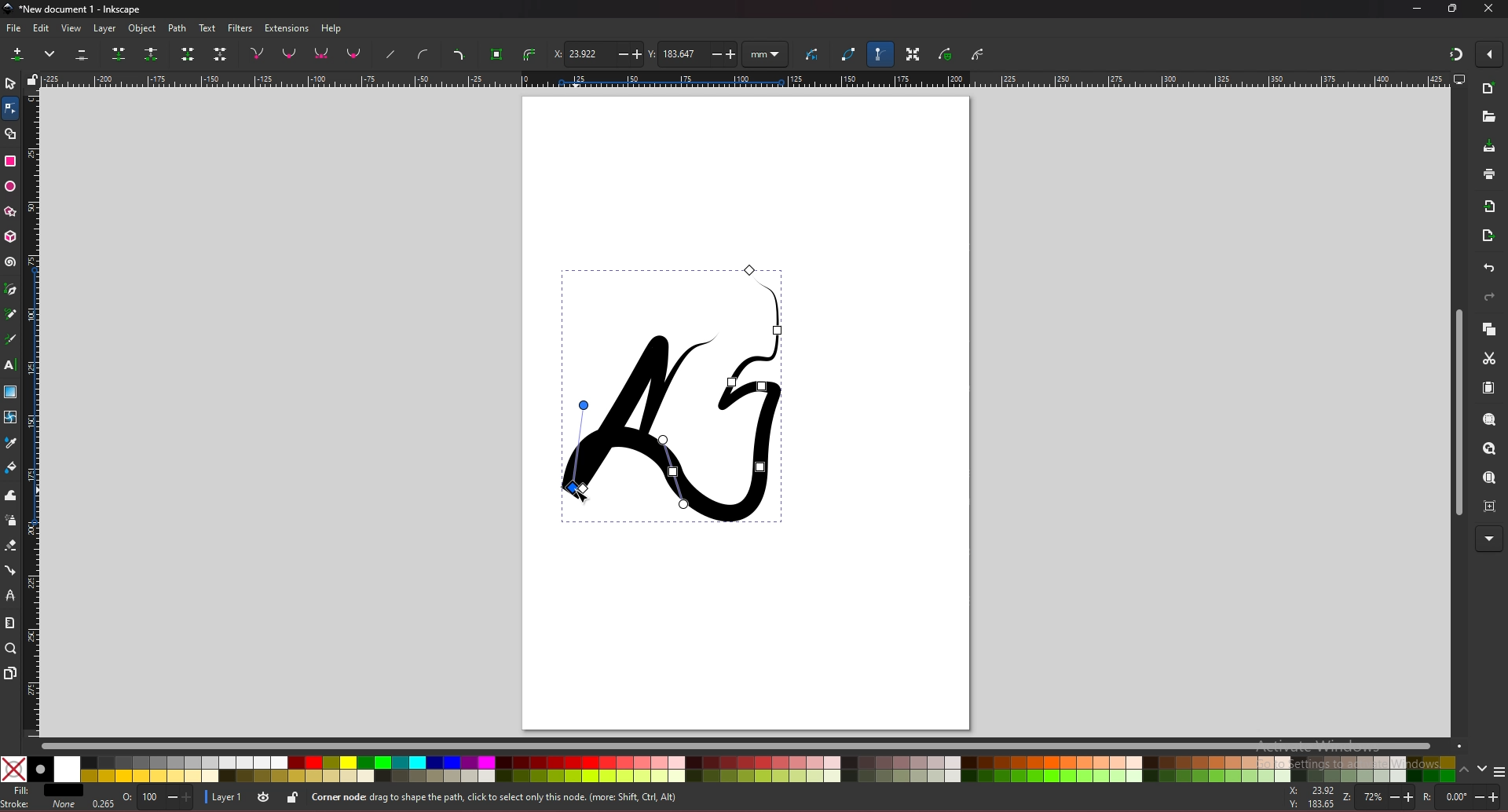 This screenshot has height=812, width=1508. Describe the element at coordinates (1488, 420) in the screenshot. I see `zoom selection` at that location.